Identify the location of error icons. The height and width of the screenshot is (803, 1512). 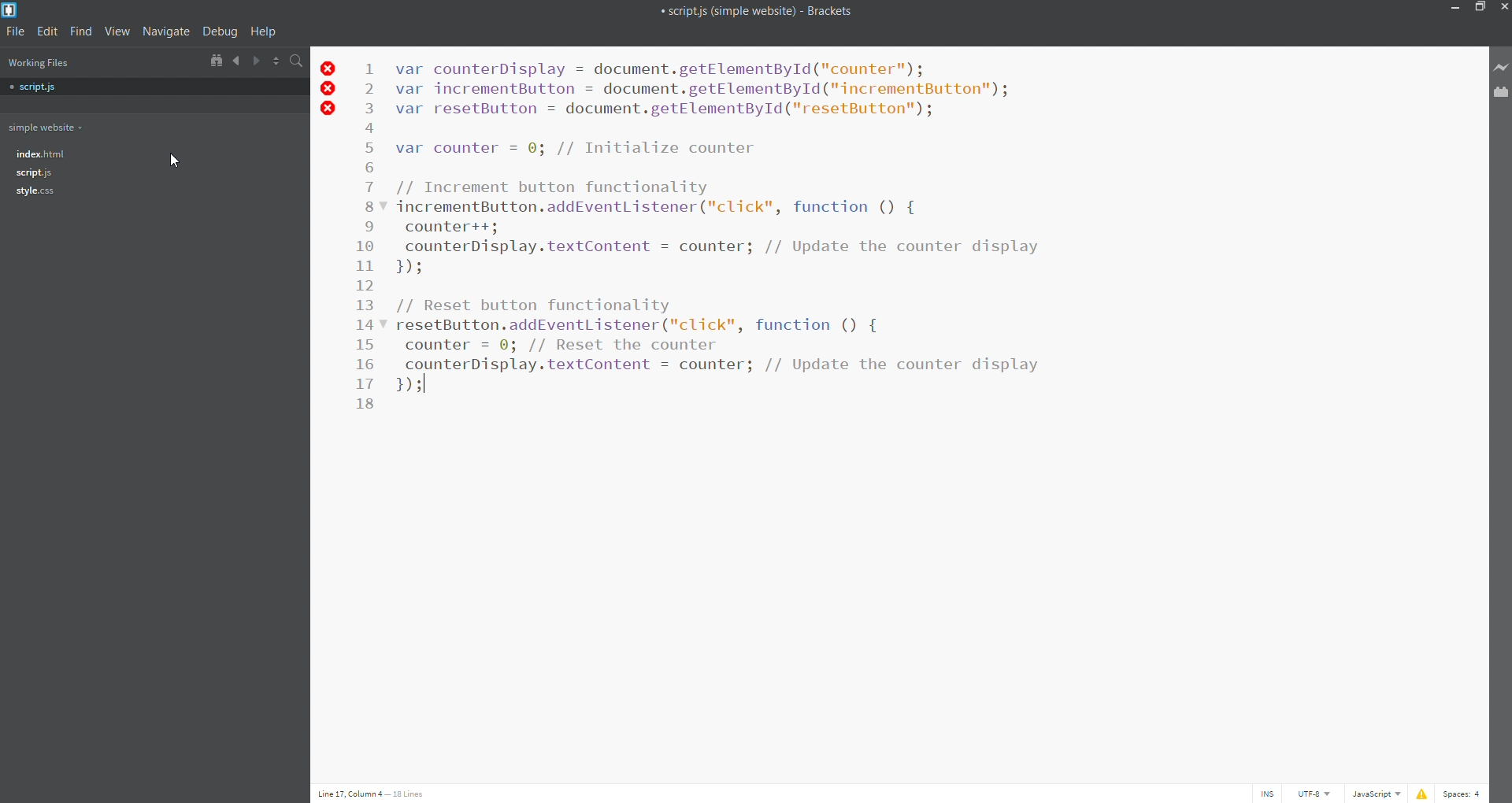
(328, 89).